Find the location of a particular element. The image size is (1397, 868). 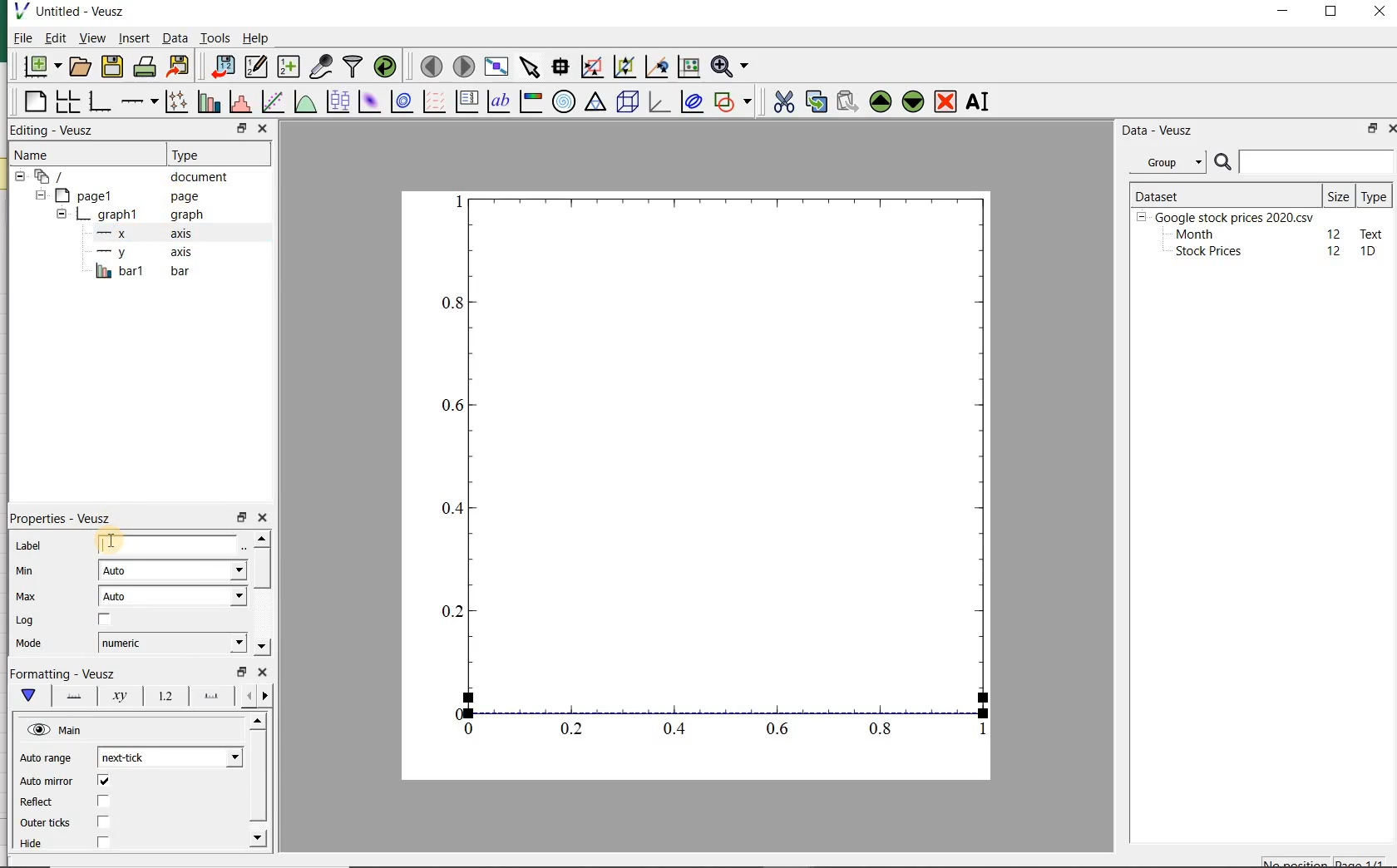

arrange graphs in a grid is located at coordinates (66, 102).